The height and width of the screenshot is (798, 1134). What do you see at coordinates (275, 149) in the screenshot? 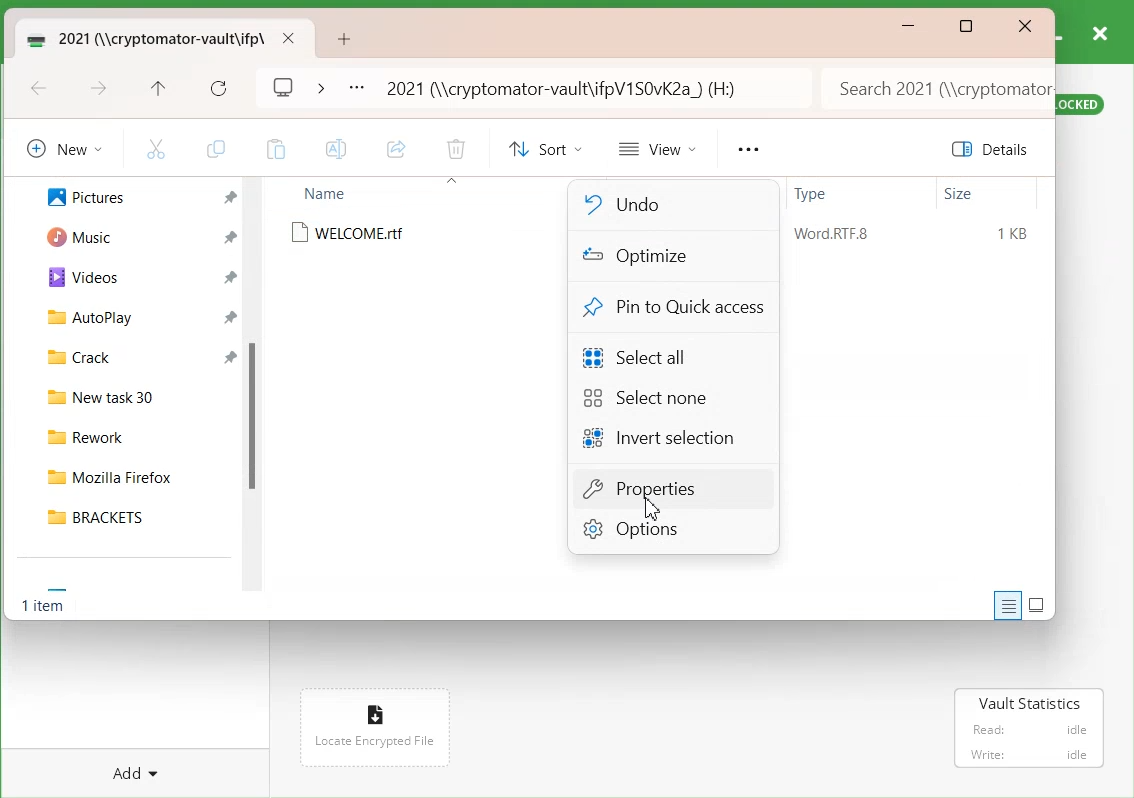
I see `Paste` at bounding box center [275, 149].